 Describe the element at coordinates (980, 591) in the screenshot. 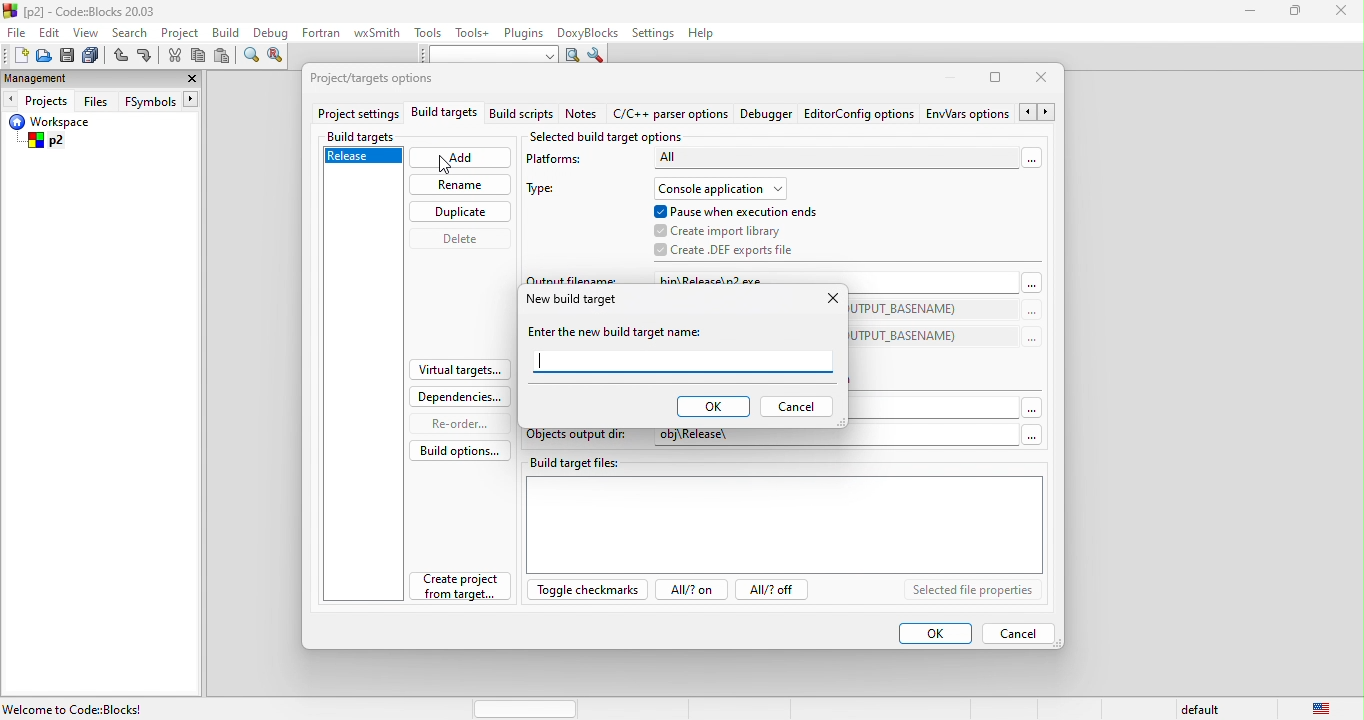

I see `selected file properties` at that location.